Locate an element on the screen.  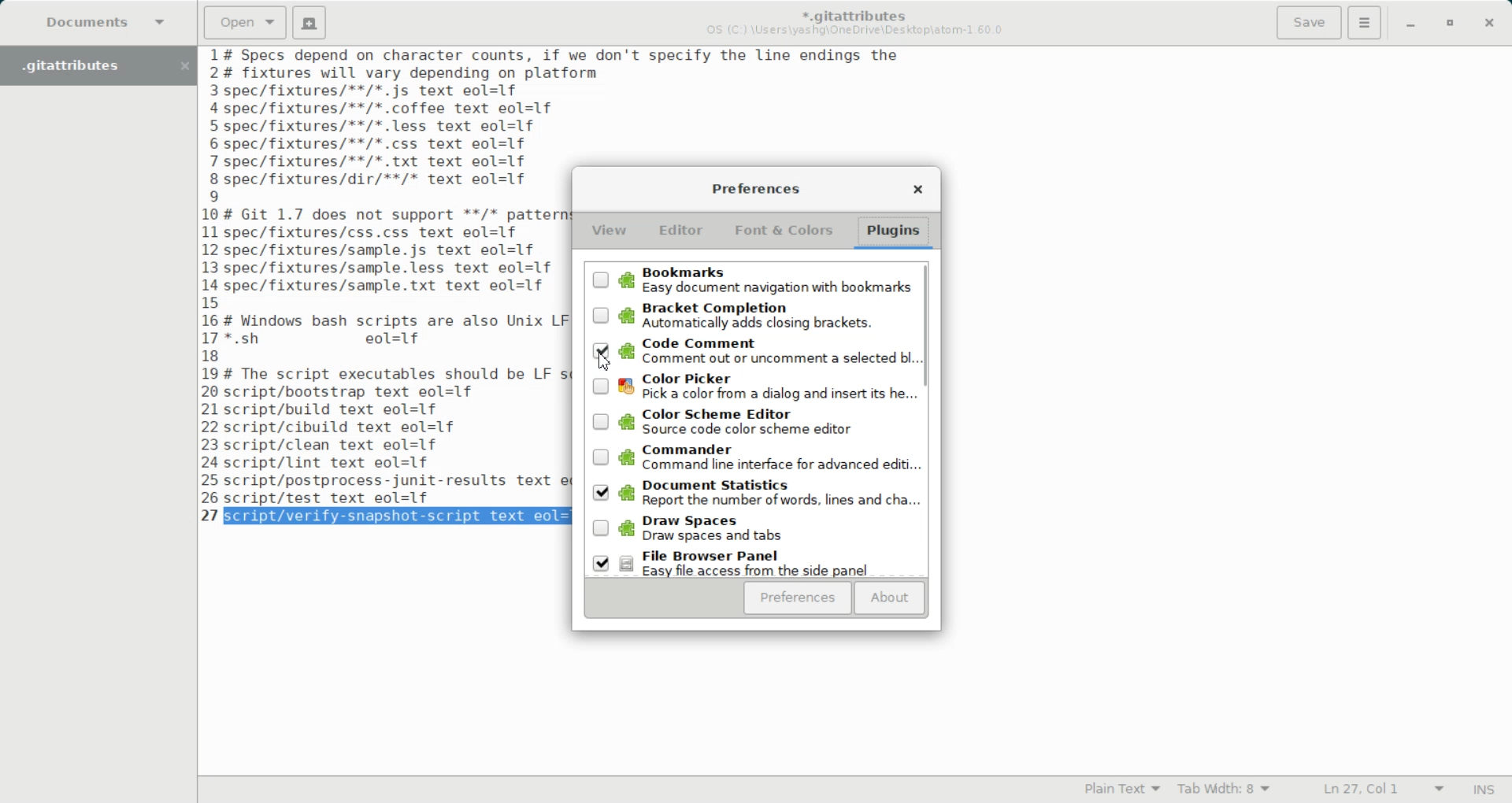
Close is located at coordinates (1489, 24).